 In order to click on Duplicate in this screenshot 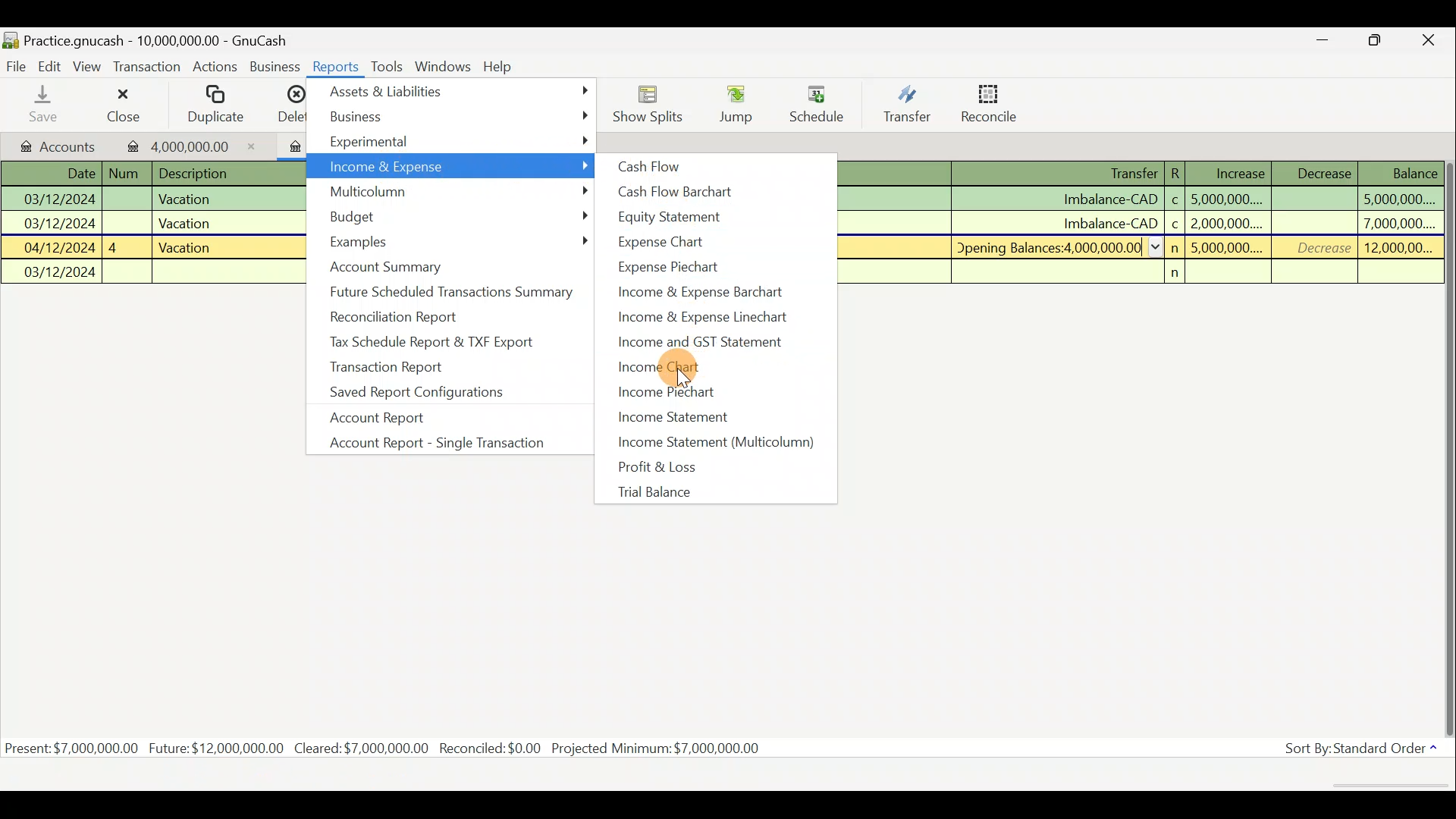, I will do `click(213, 104)`.